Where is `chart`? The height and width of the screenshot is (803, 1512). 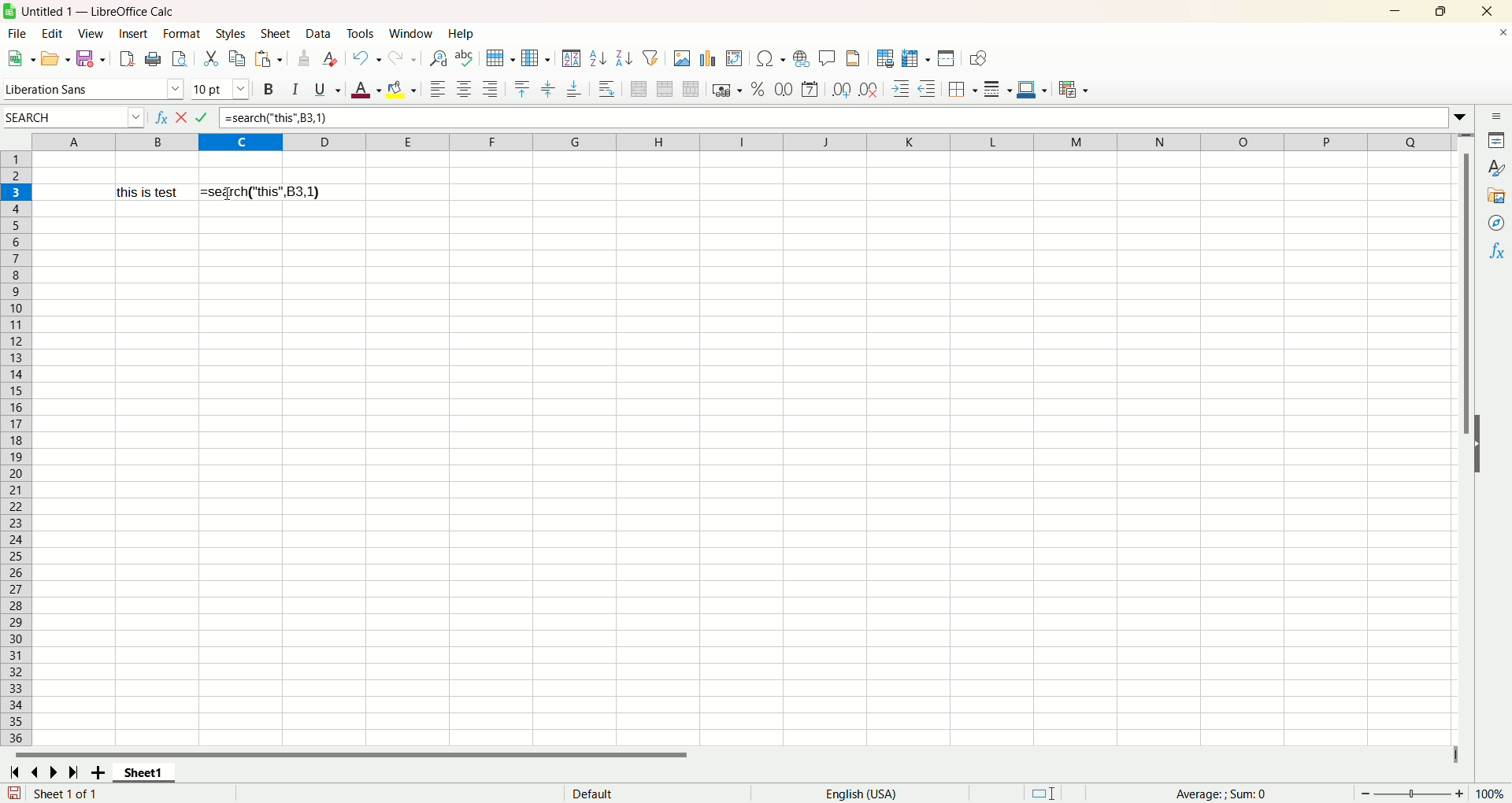
chart is located at coordinates (708, 57).